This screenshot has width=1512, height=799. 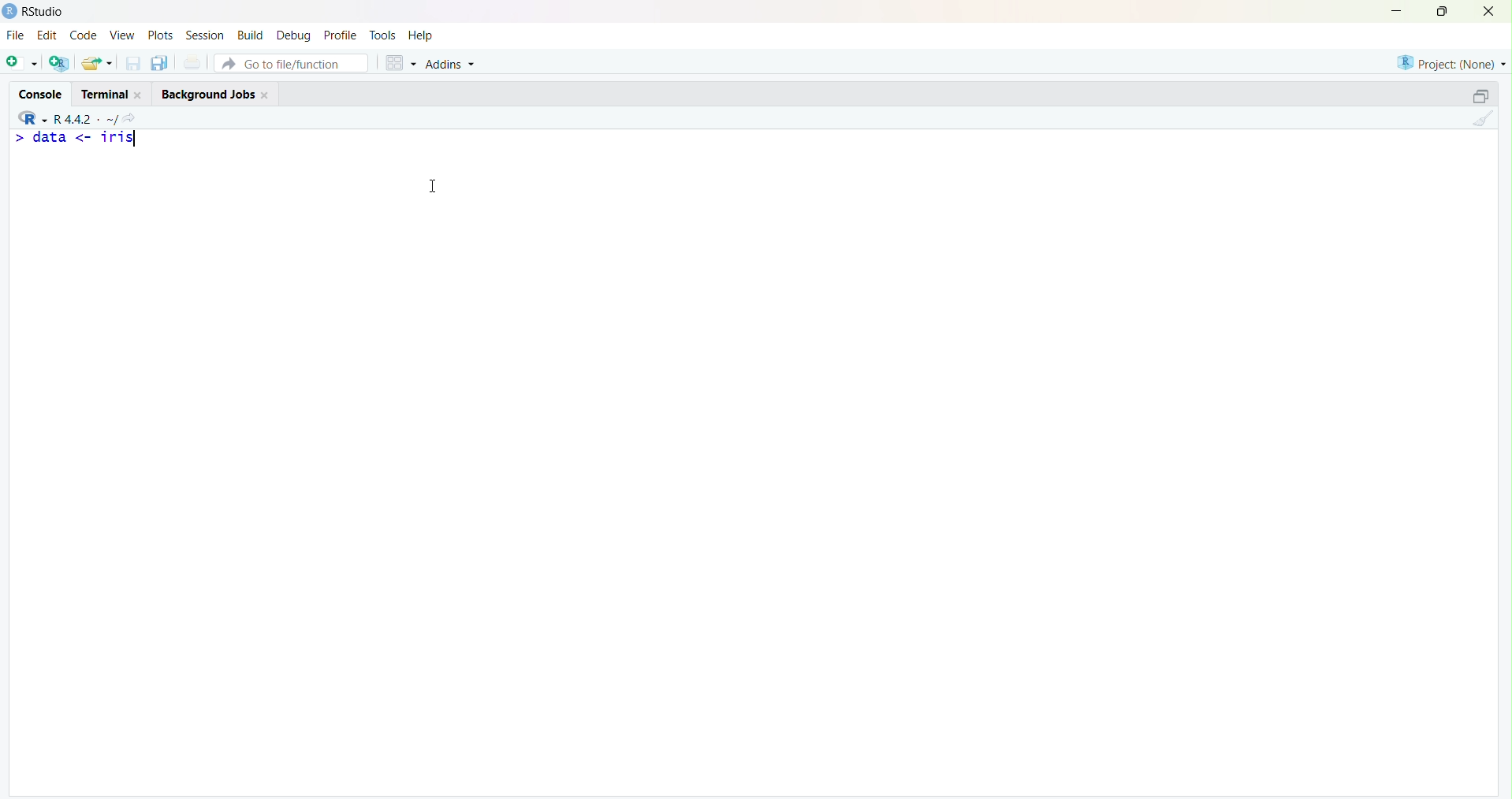 I want to click on Clear console (Ctrl + L), so click(x=1481, y=120).